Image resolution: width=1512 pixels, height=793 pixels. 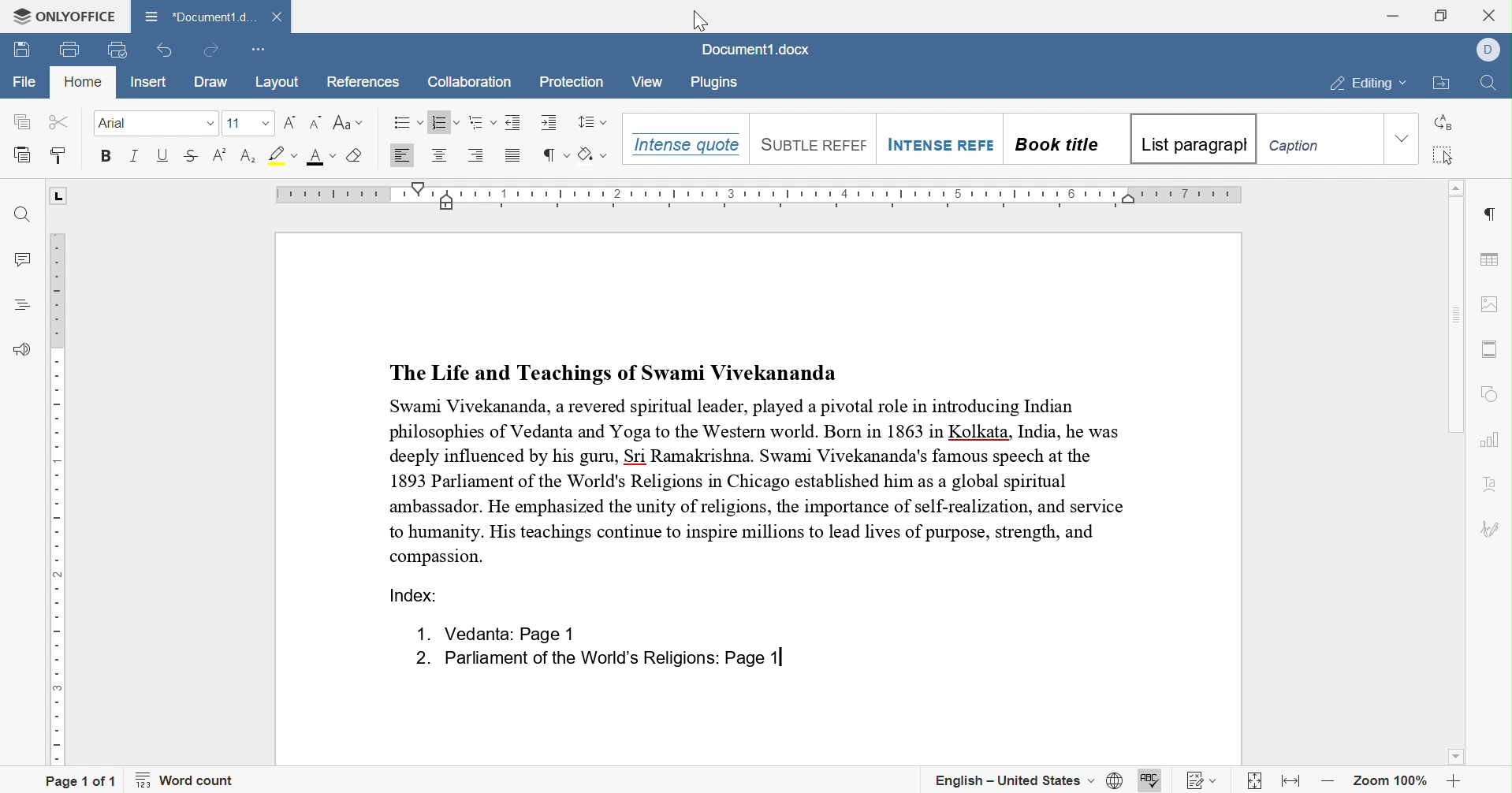 I want to click on intense repe, so click(x=940, y=138).